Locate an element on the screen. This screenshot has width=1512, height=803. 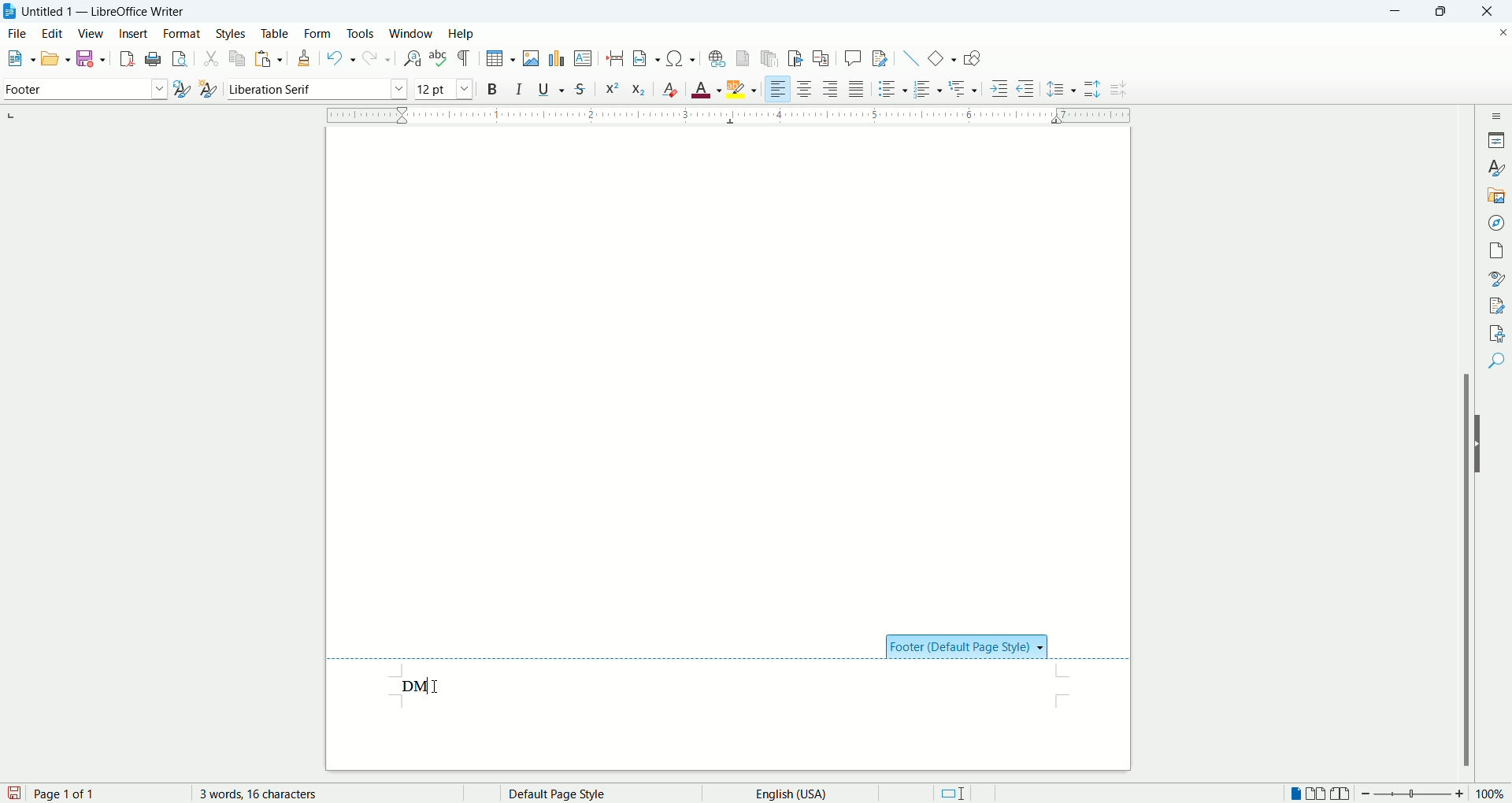
table is located at coordinates (275, 31).